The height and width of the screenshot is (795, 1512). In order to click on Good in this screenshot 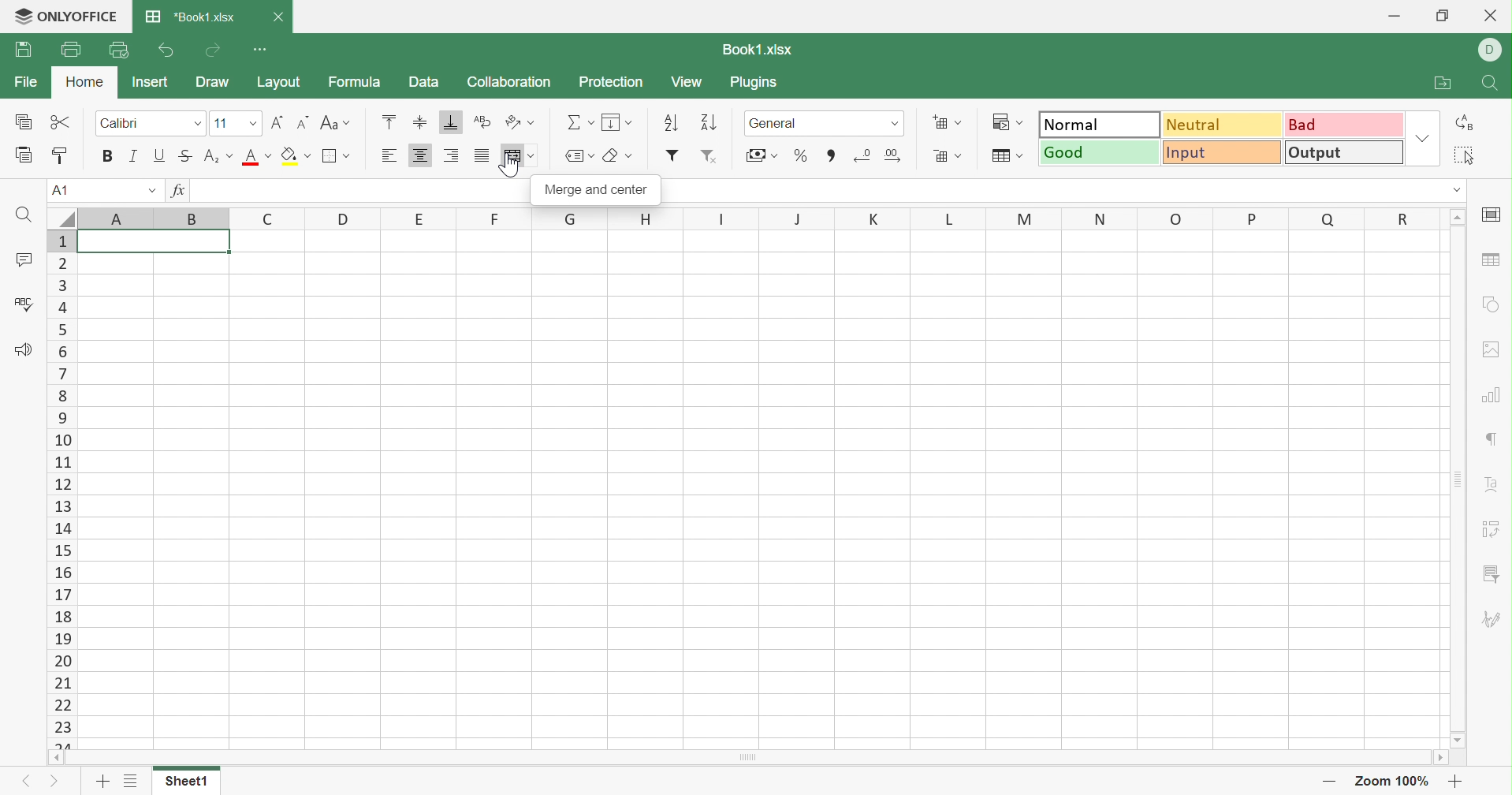, I will do `click(1100, 154)`.